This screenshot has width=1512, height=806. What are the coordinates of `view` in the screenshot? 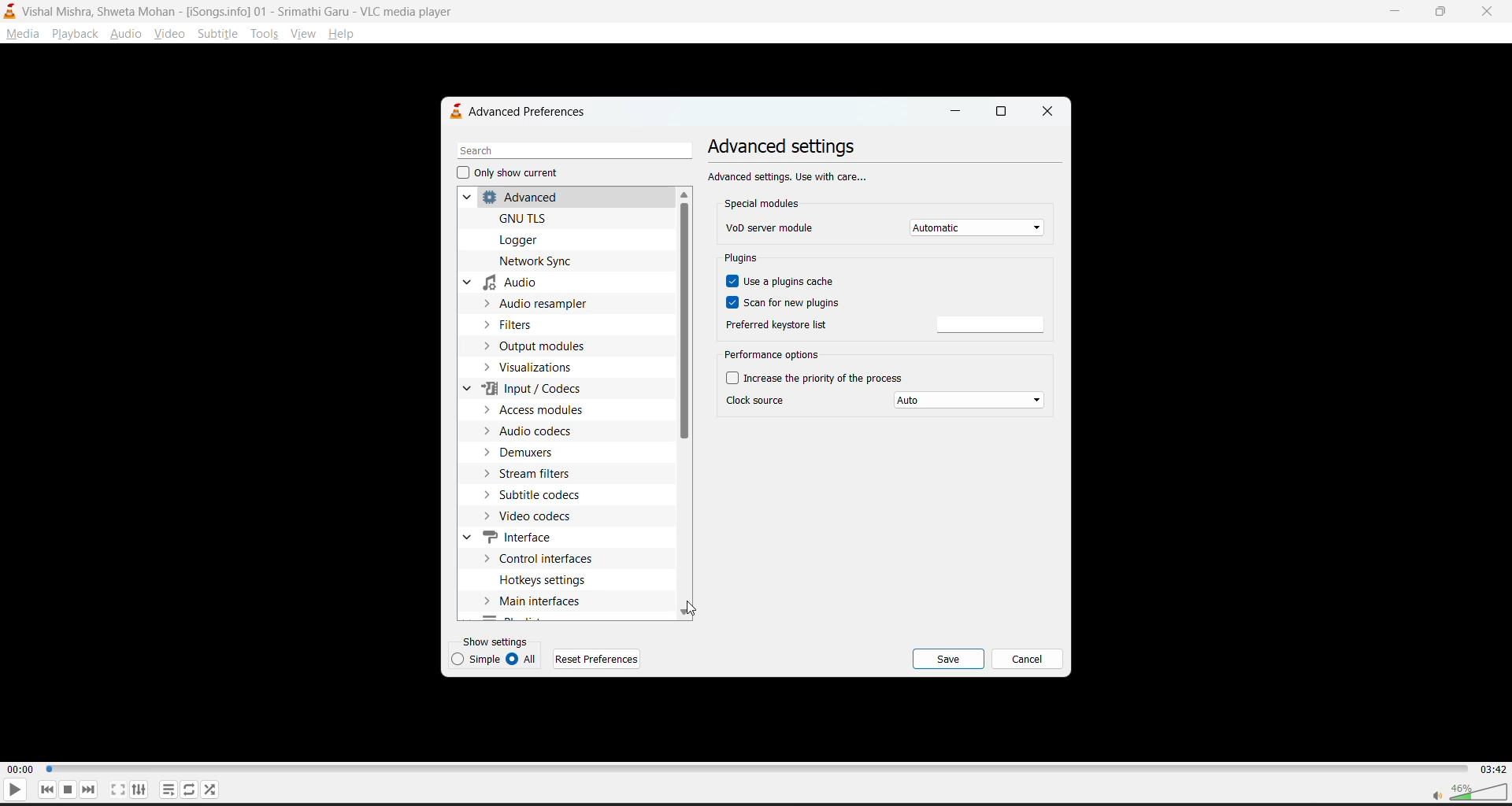 It's located at (306, 37).